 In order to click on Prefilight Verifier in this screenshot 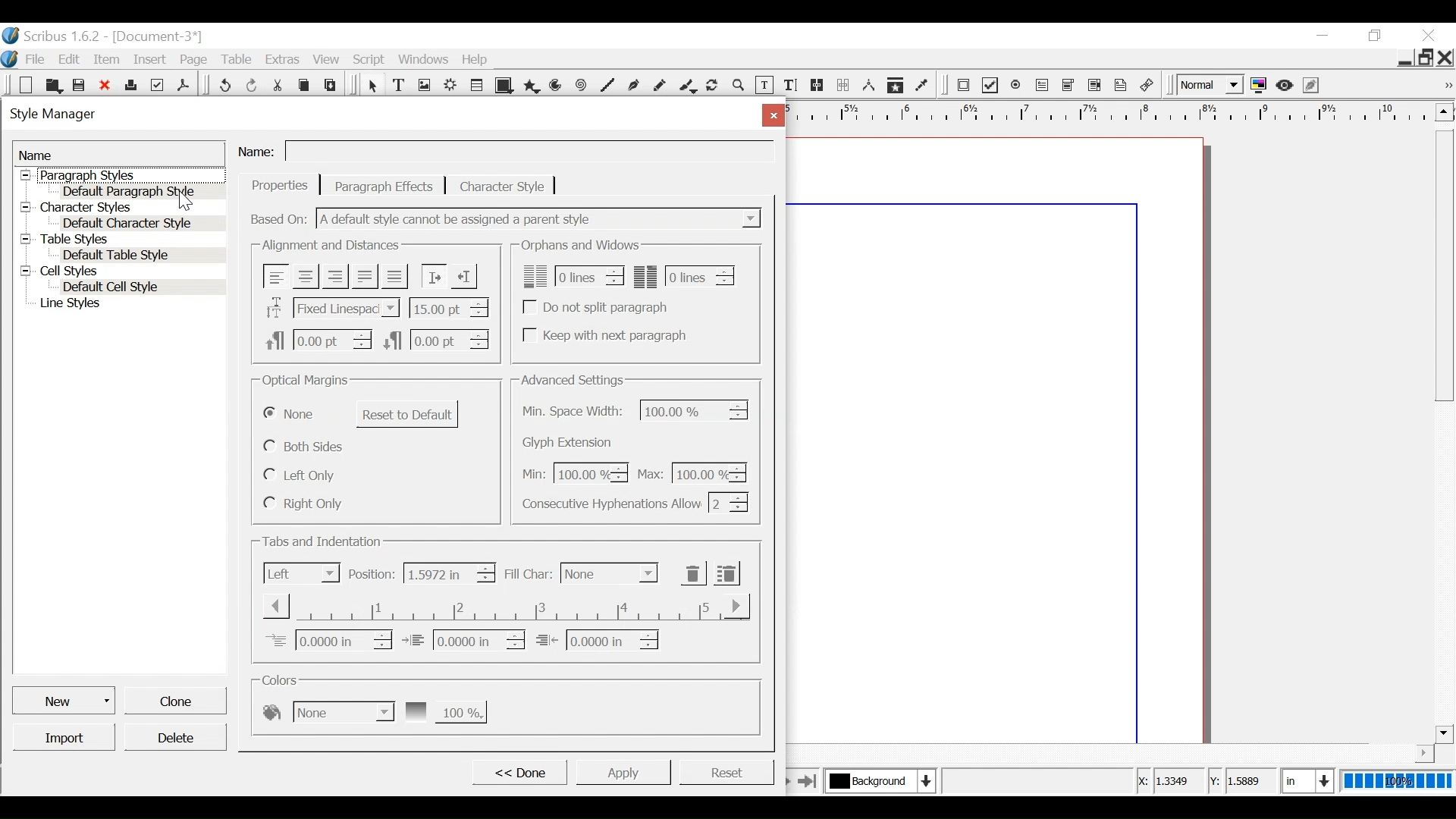, I will do `click(157, 84)`.